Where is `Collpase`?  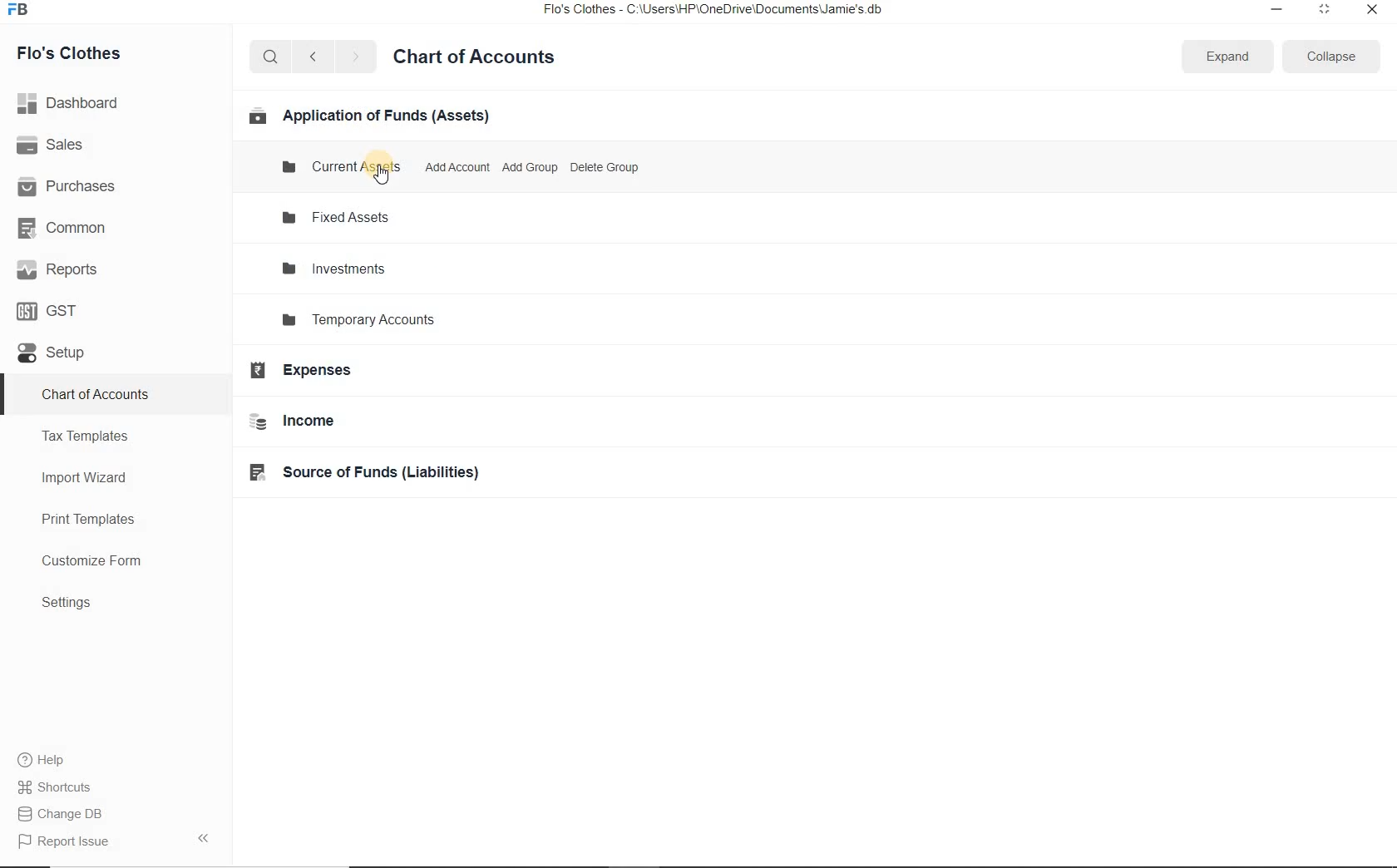 Collpase is located at coordinates (203, 837).